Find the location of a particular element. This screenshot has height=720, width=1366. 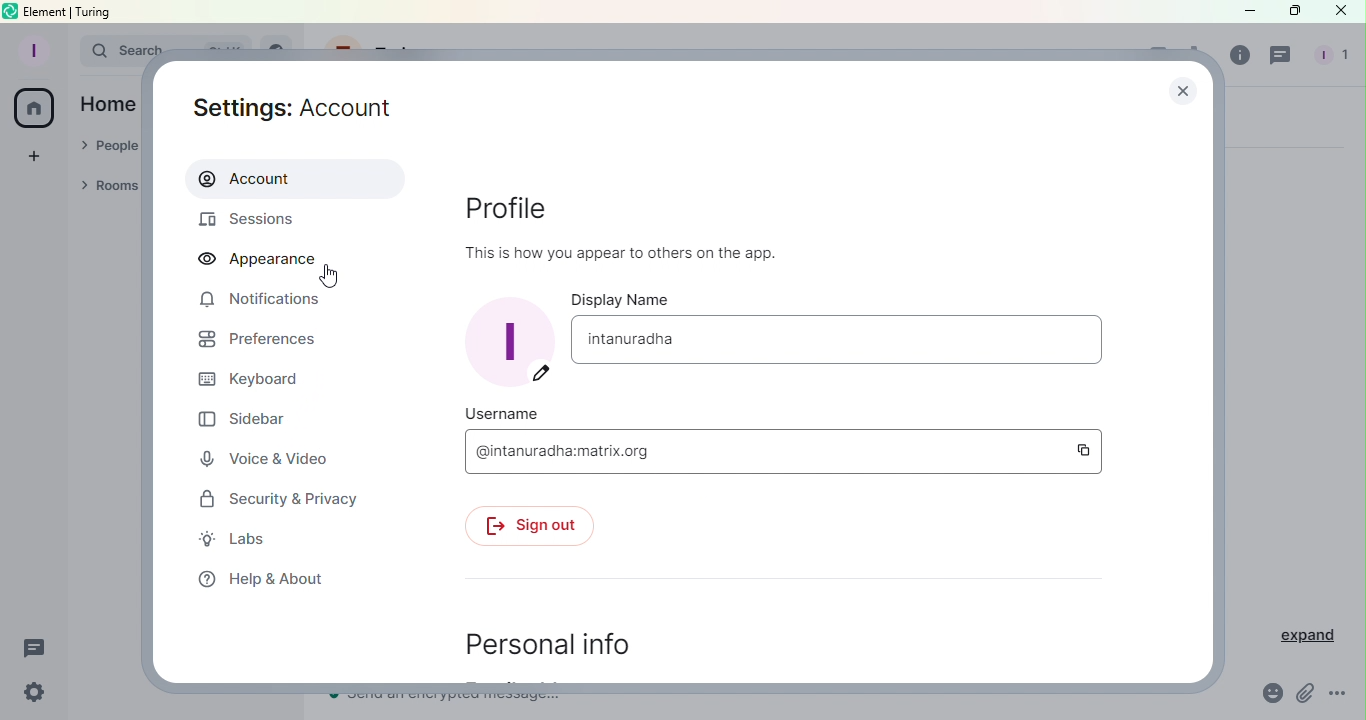

Room info is located at coordinates (1235, 55).